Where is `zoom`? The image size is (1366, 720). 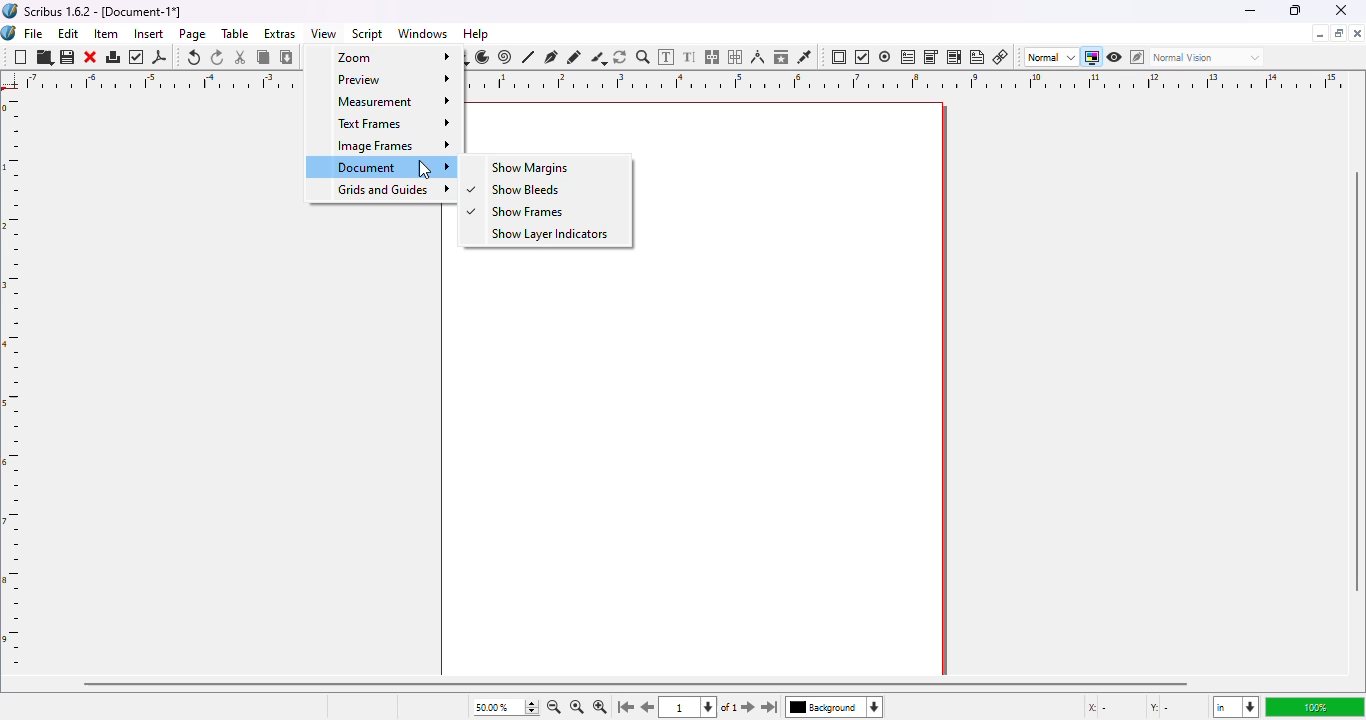
zoom is located at coordinates (385, 55).